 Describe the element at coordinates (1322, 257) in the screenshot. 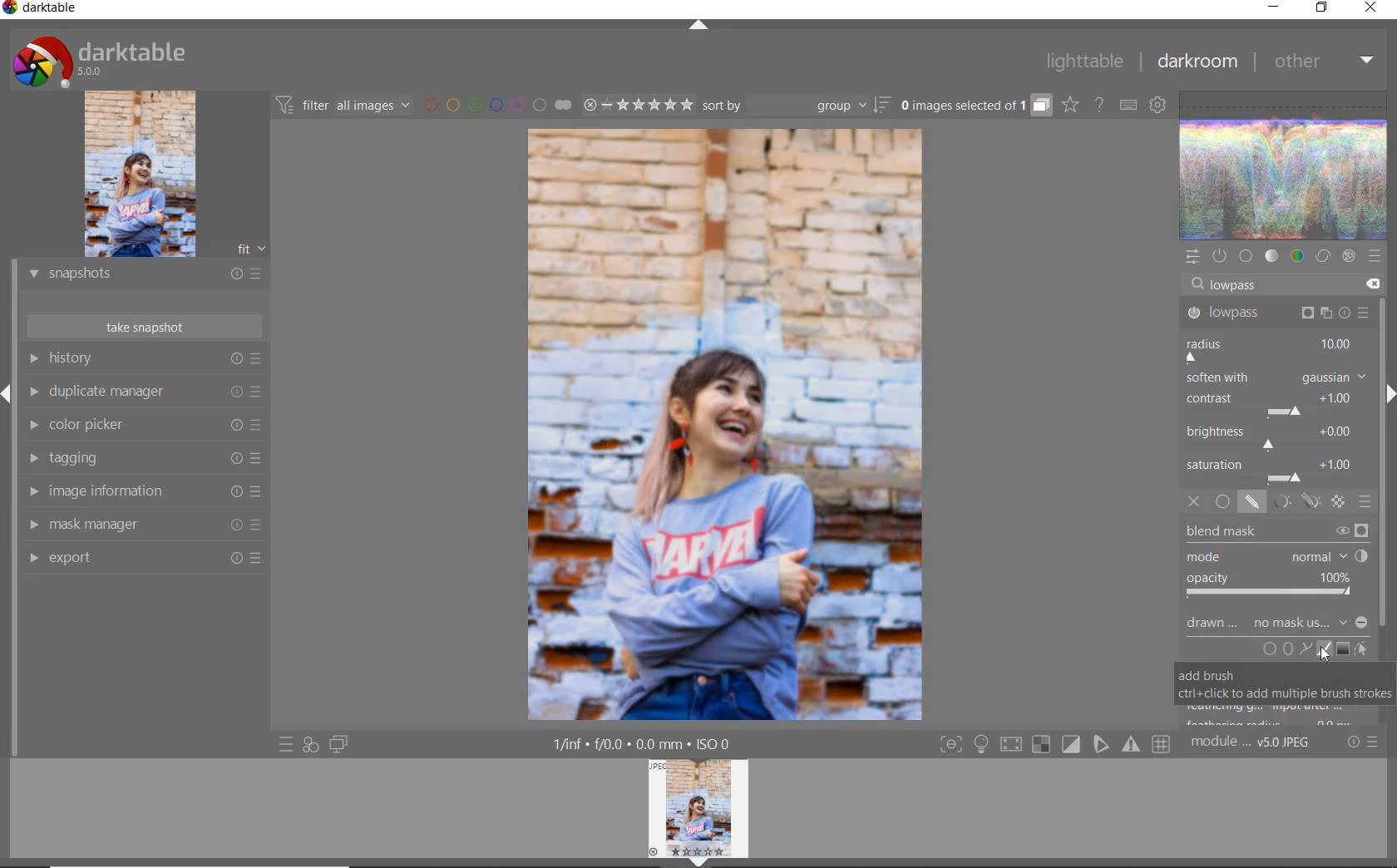

I see `correct` at that location.